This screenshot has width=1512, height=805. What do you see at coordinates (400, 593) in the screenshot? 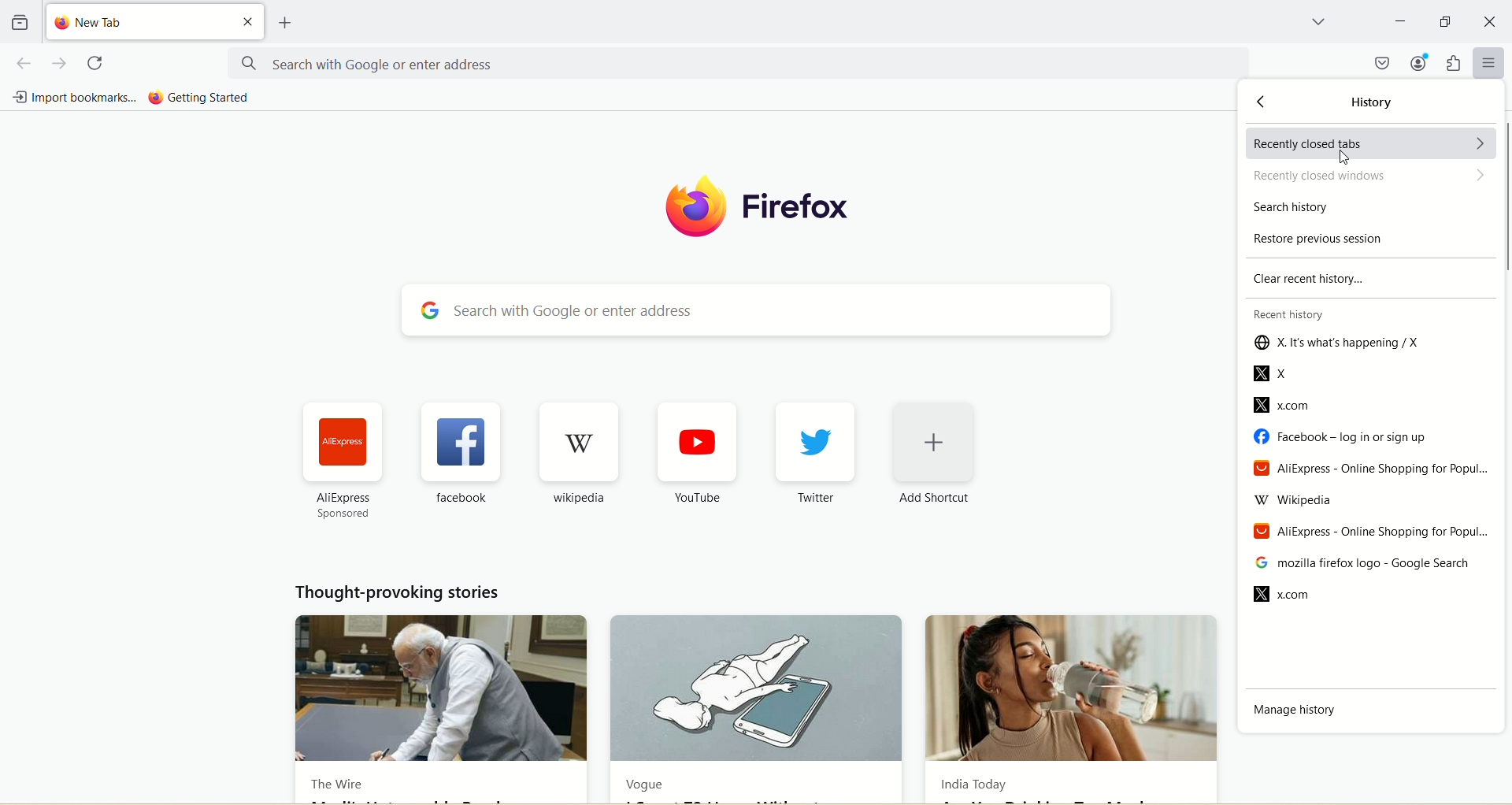
I see `thought provoking stories` at bounding box center [400, 593].